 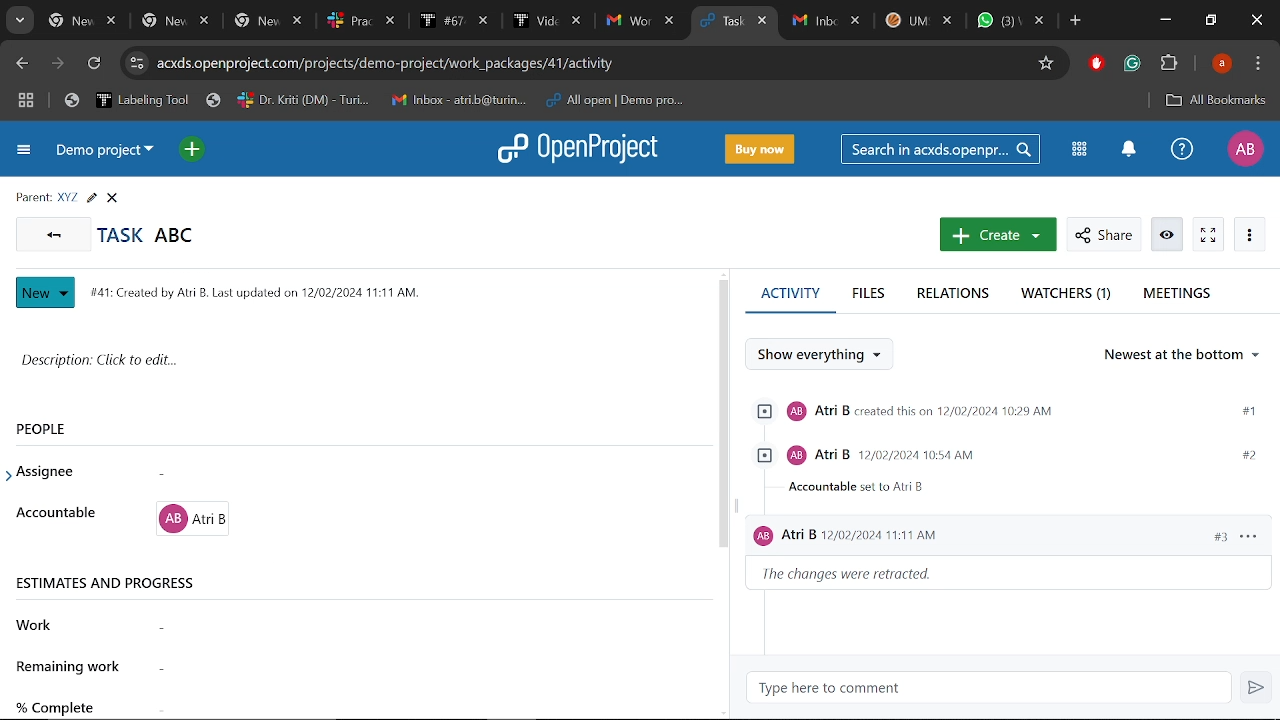 I want to click on Activity, so click(x=790, y=301).